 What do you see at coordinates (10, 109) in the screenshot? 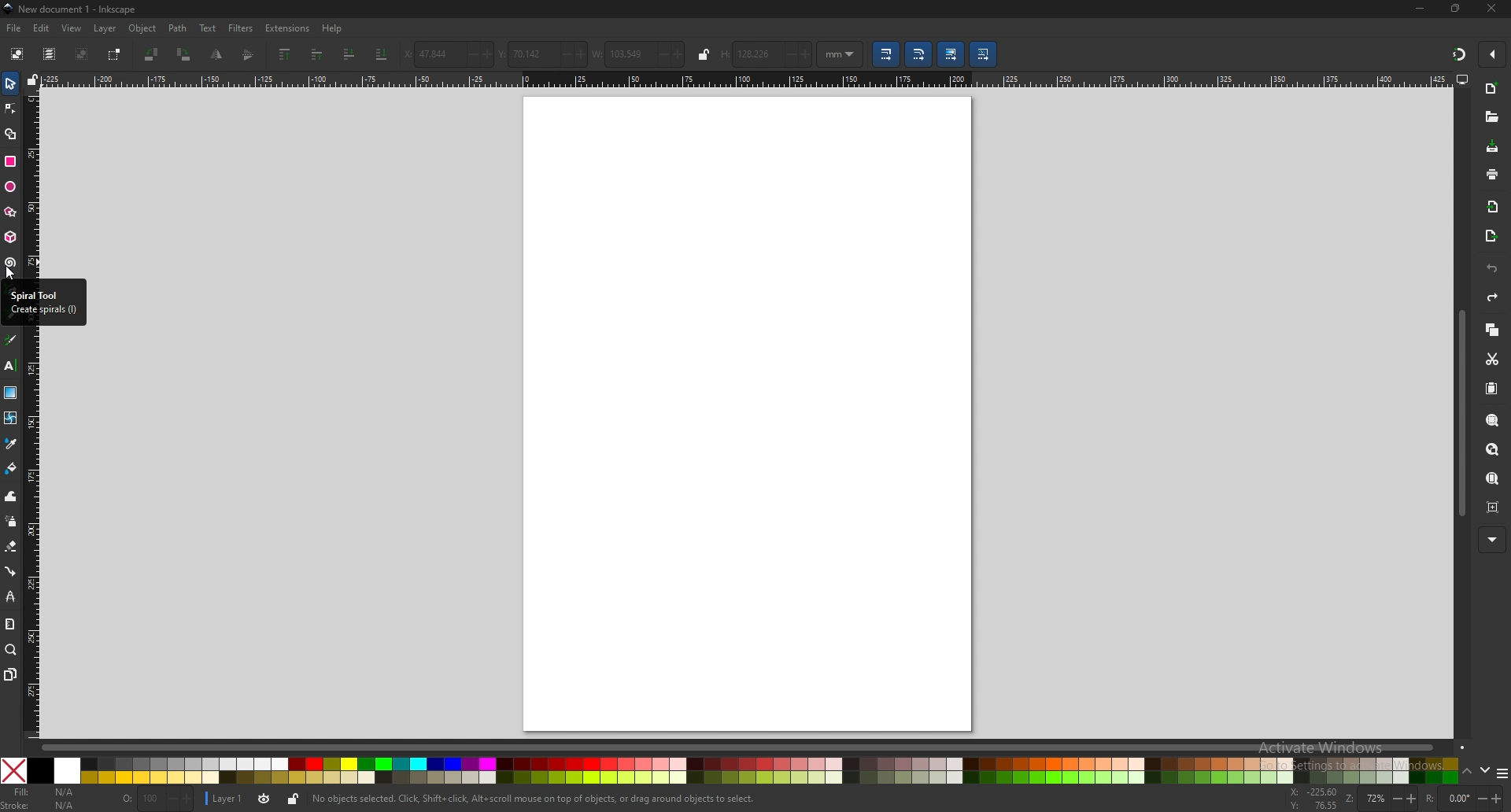
I see `node` at bounding box center [10, 109].